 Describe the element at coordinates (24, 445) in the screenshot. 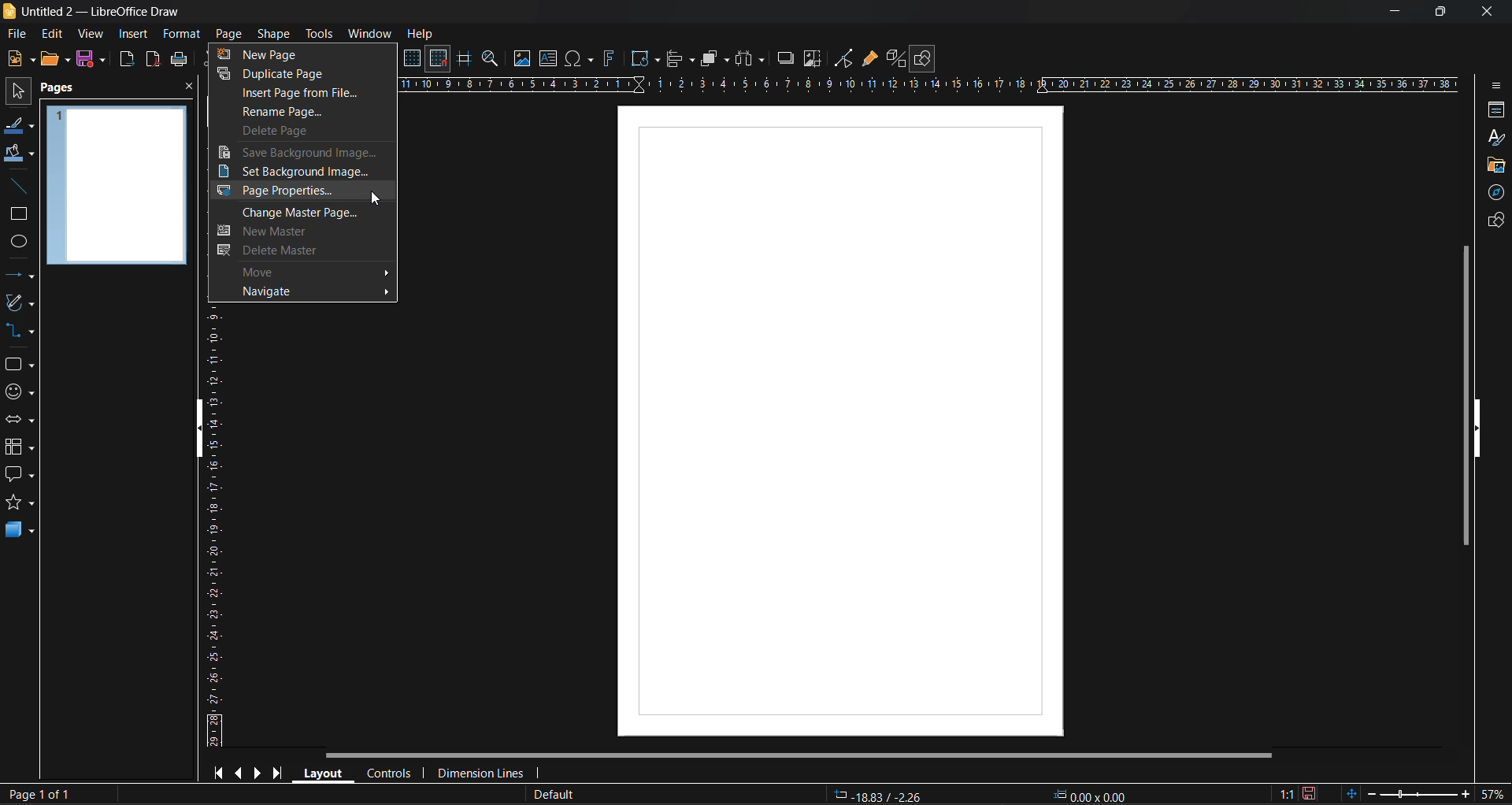

I see `flowcharts` at that location.